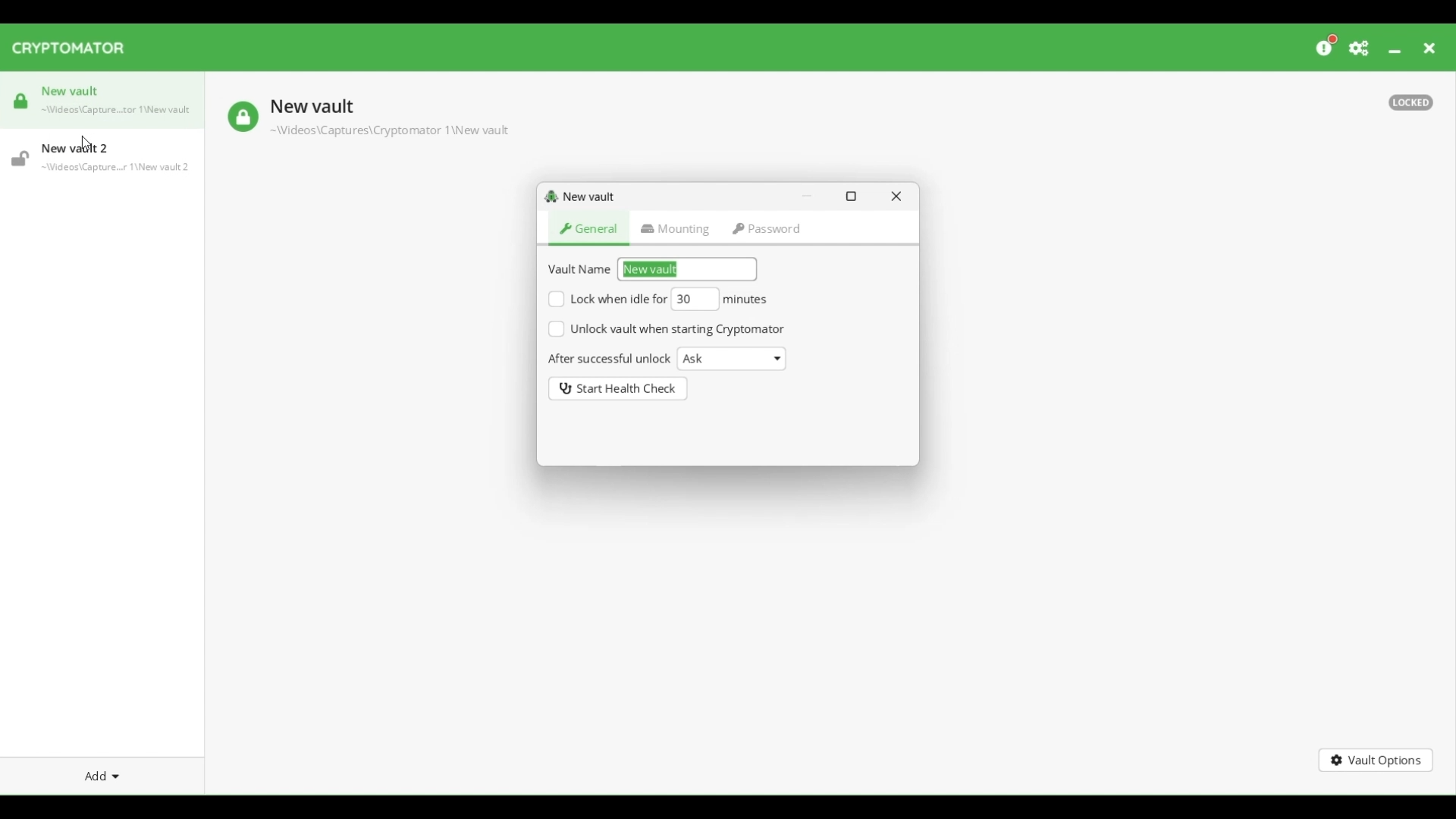  What do you see at coordinates (388, 131) in the screenshot?
I see `Location of selected vault` at bounding box center [388, 131].